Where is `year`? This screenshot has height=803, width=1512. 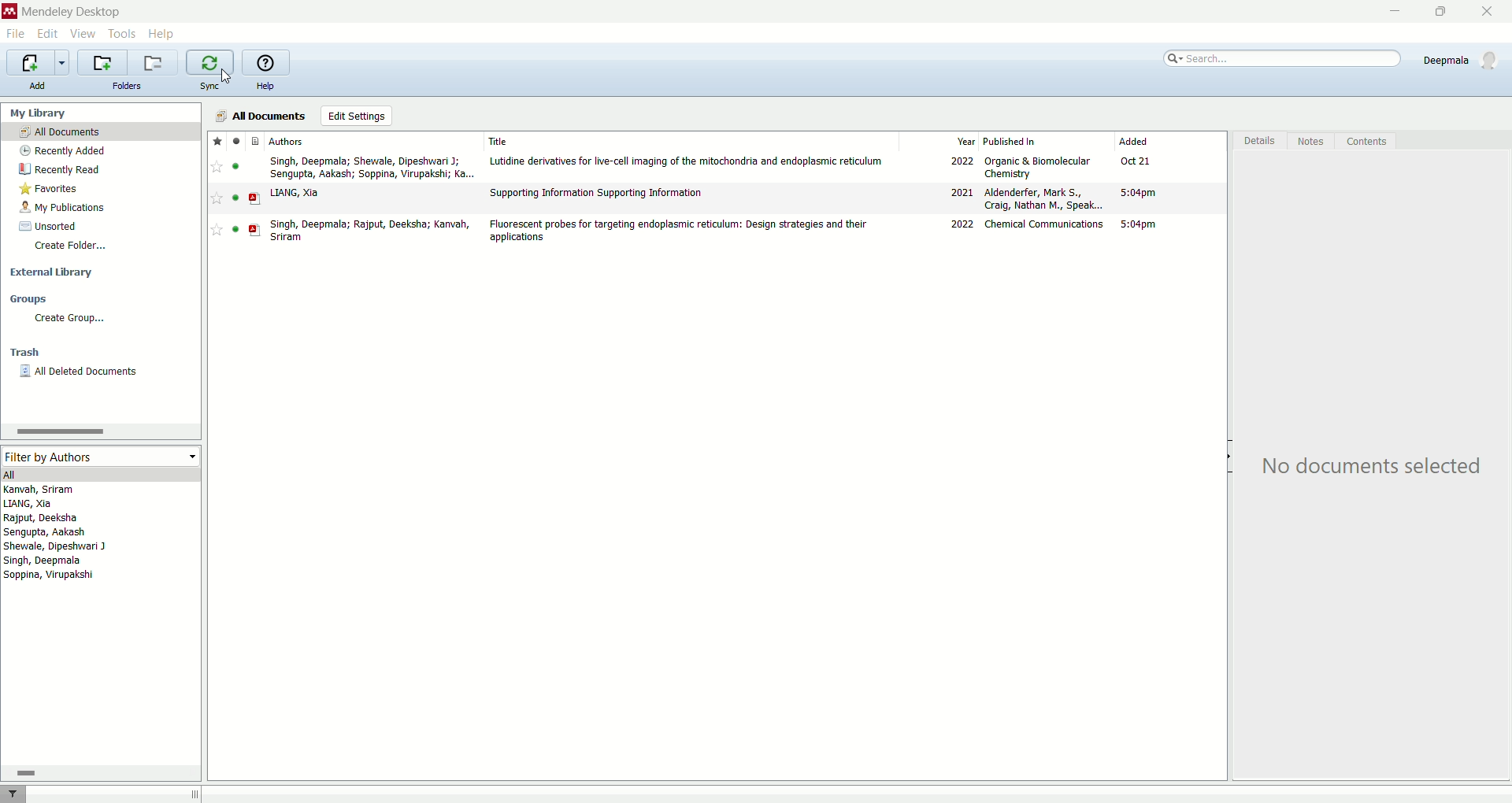
year is located at coordinates (939, 142).